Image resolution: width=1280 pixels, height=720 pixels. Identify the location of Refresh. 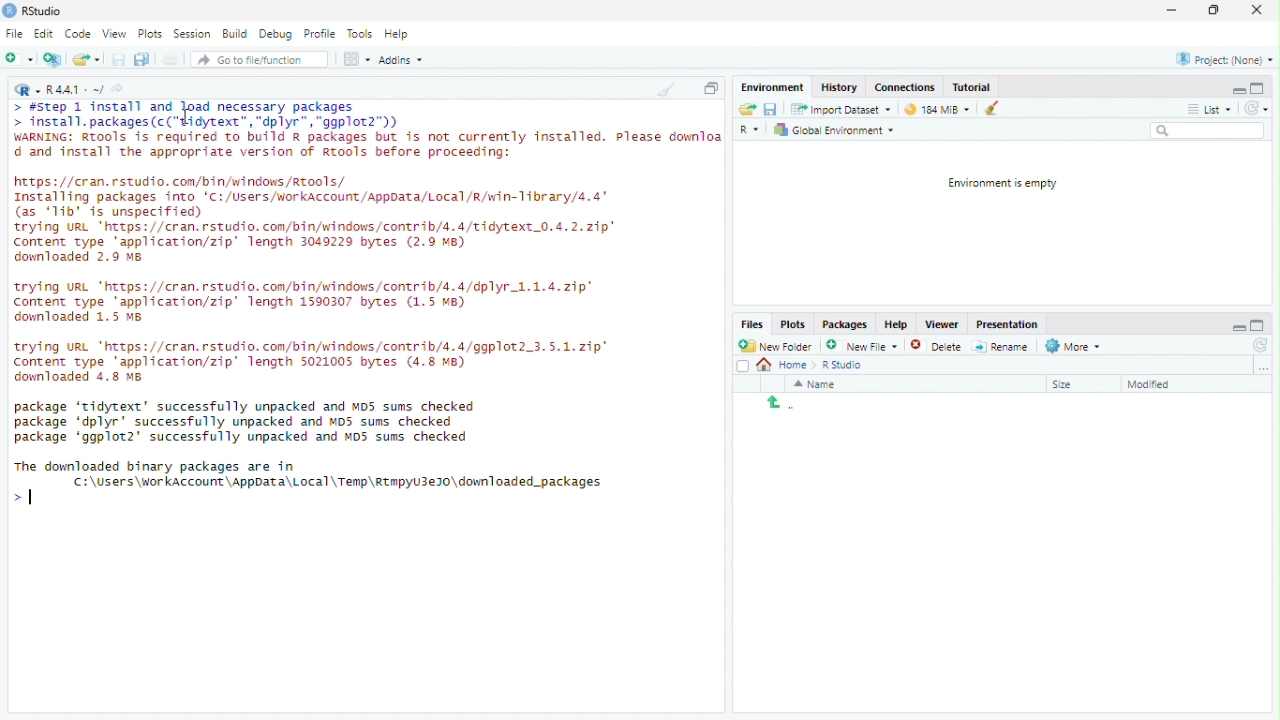
(1258, 345).